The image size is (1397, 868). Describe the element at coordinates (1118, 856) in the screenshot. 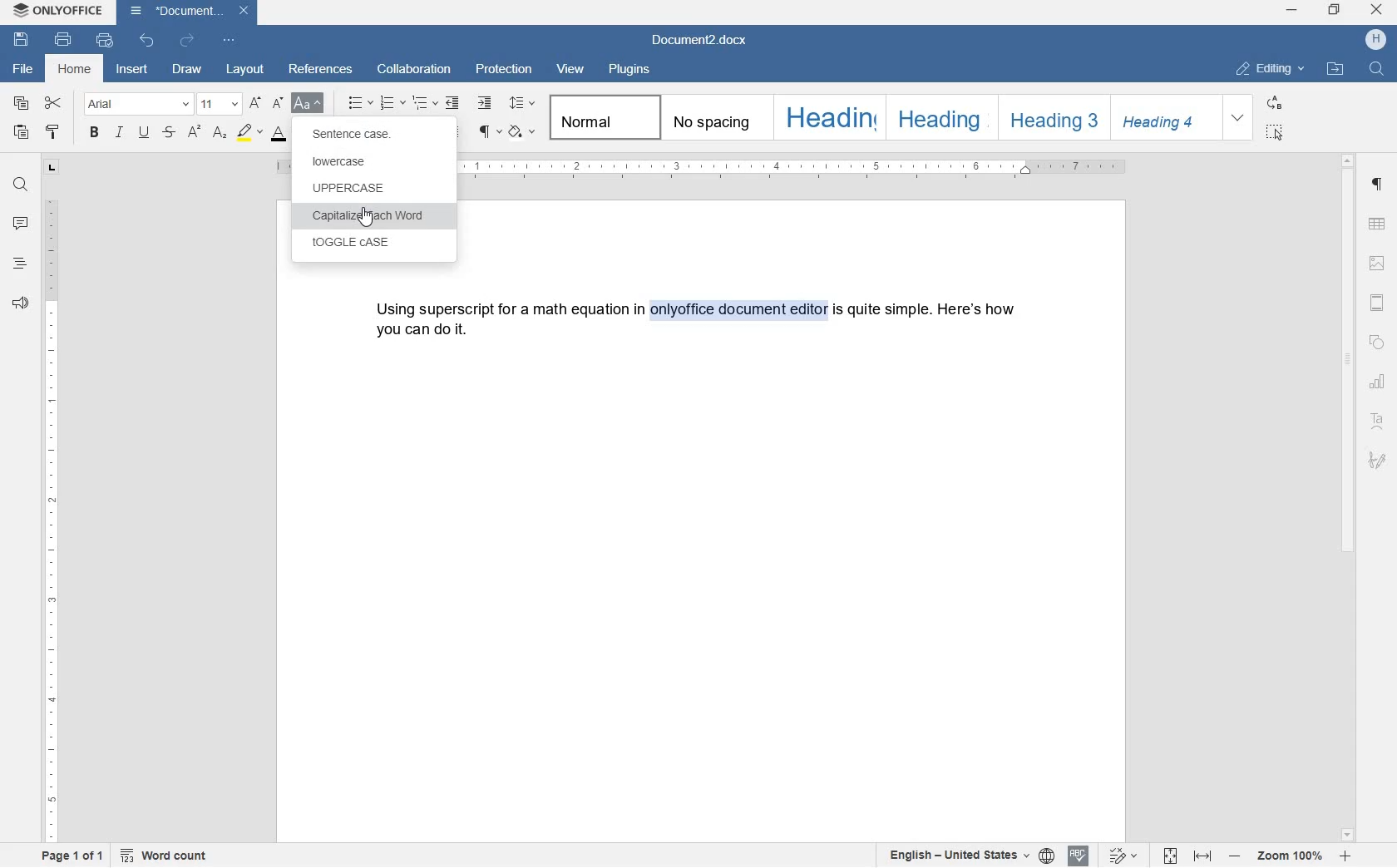

I see `track changes` at that location.